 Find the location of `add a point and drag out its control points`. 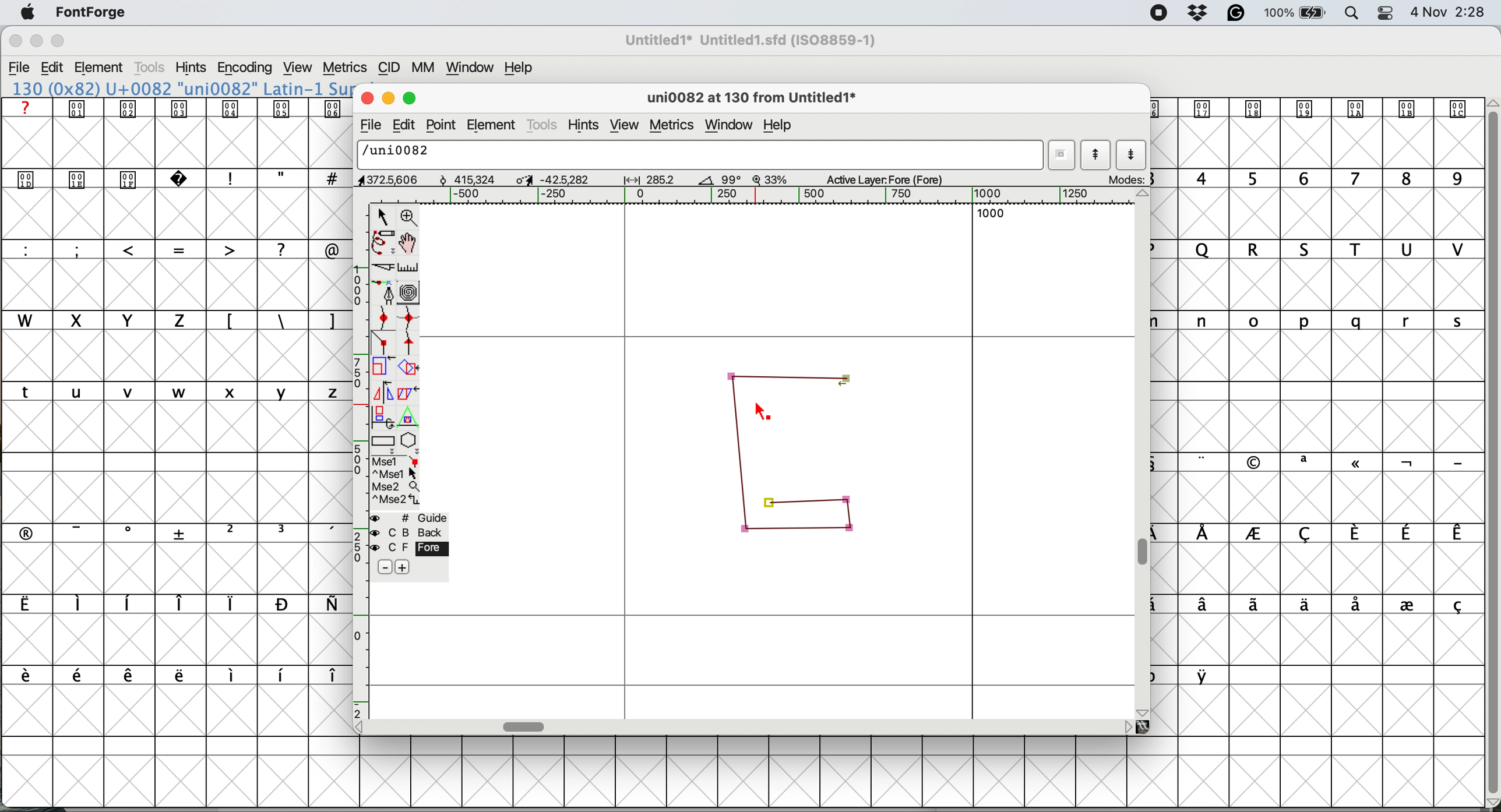

add a point and drag out its control points is located at coordinates (386, 292).